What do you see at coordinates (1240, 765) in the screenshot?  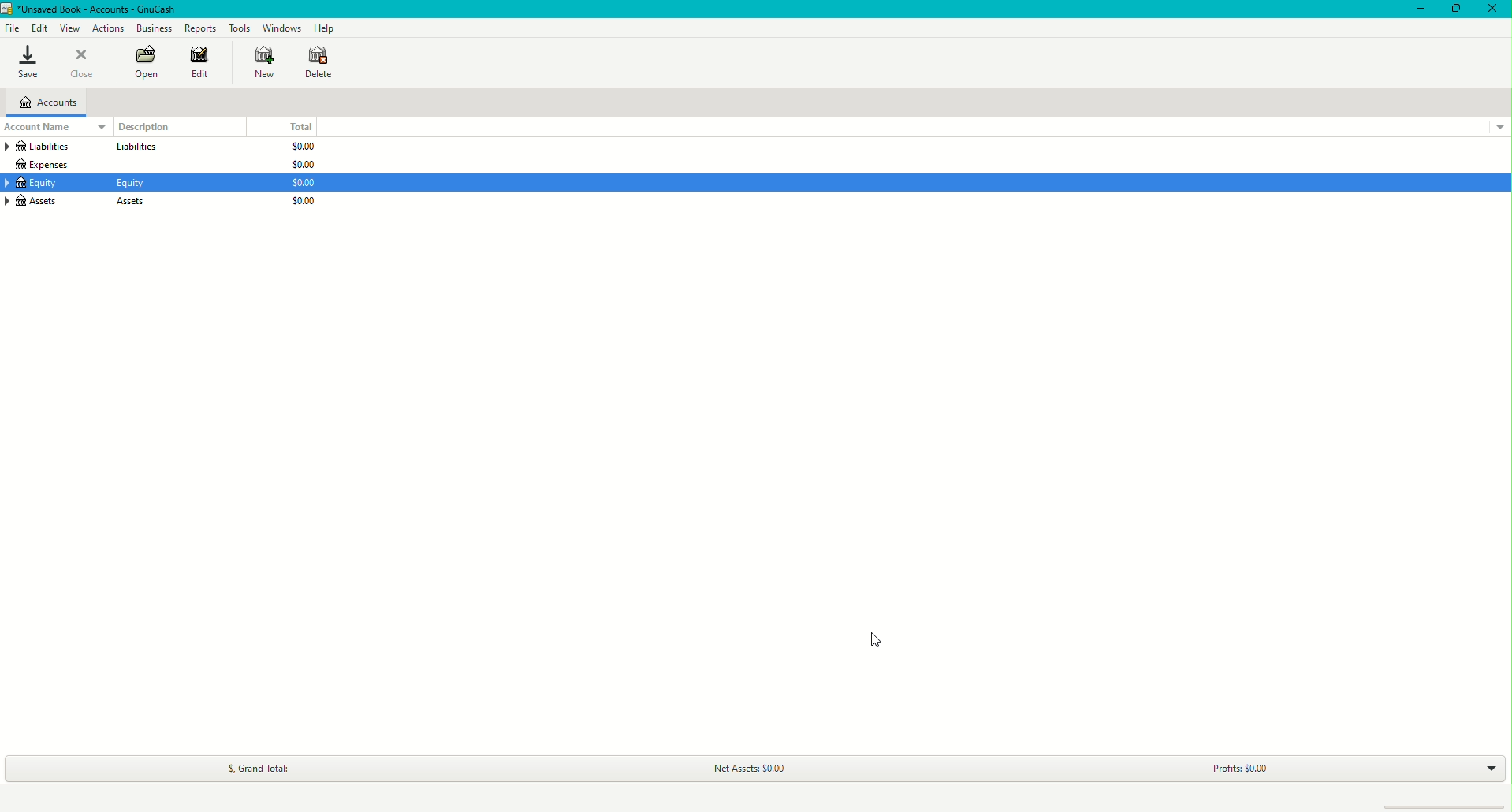 I see `Profits` at bounding box center [1240, 765].